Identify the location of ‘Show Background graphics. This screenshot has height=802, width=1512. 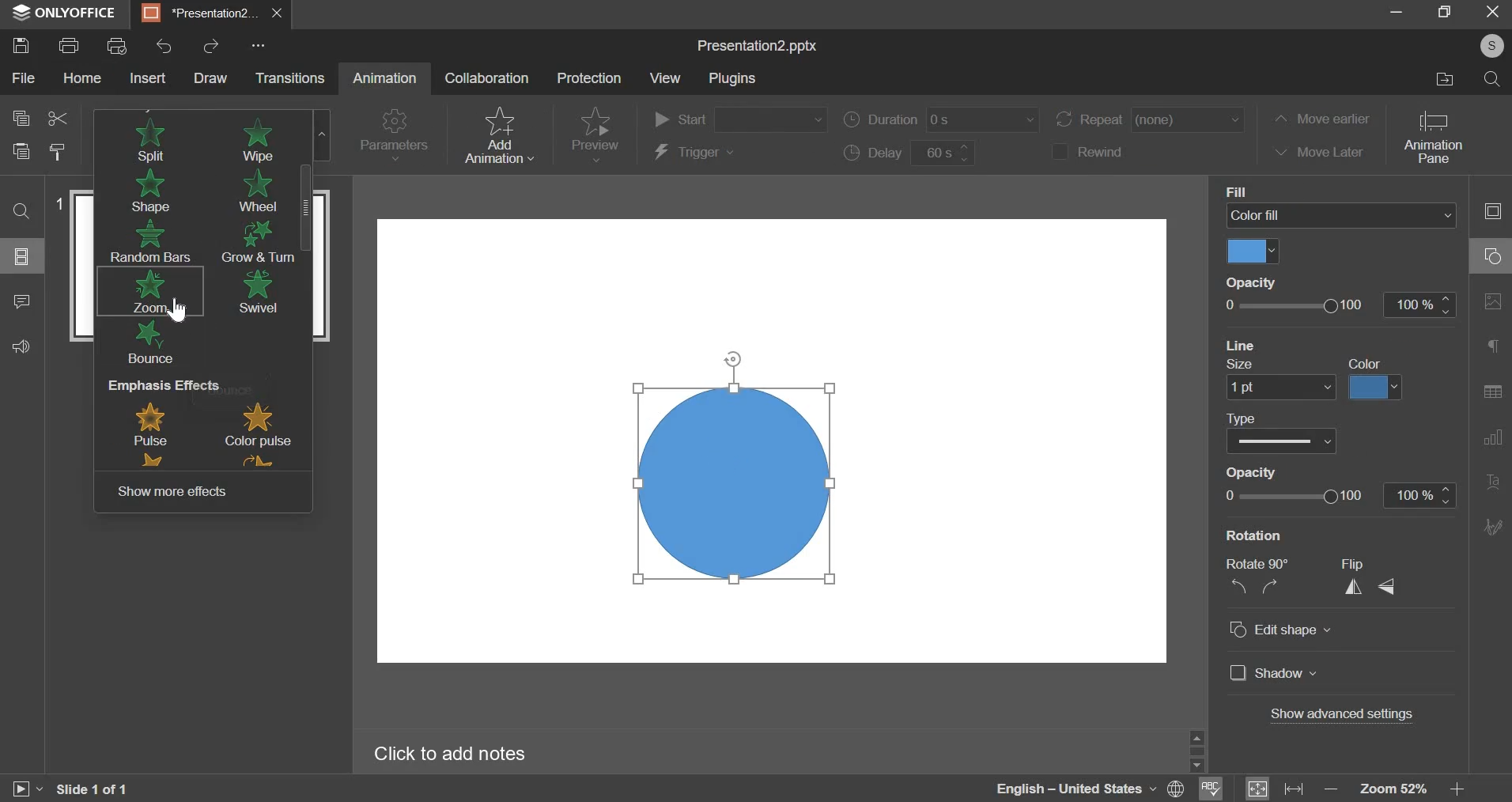
(1303, 533).